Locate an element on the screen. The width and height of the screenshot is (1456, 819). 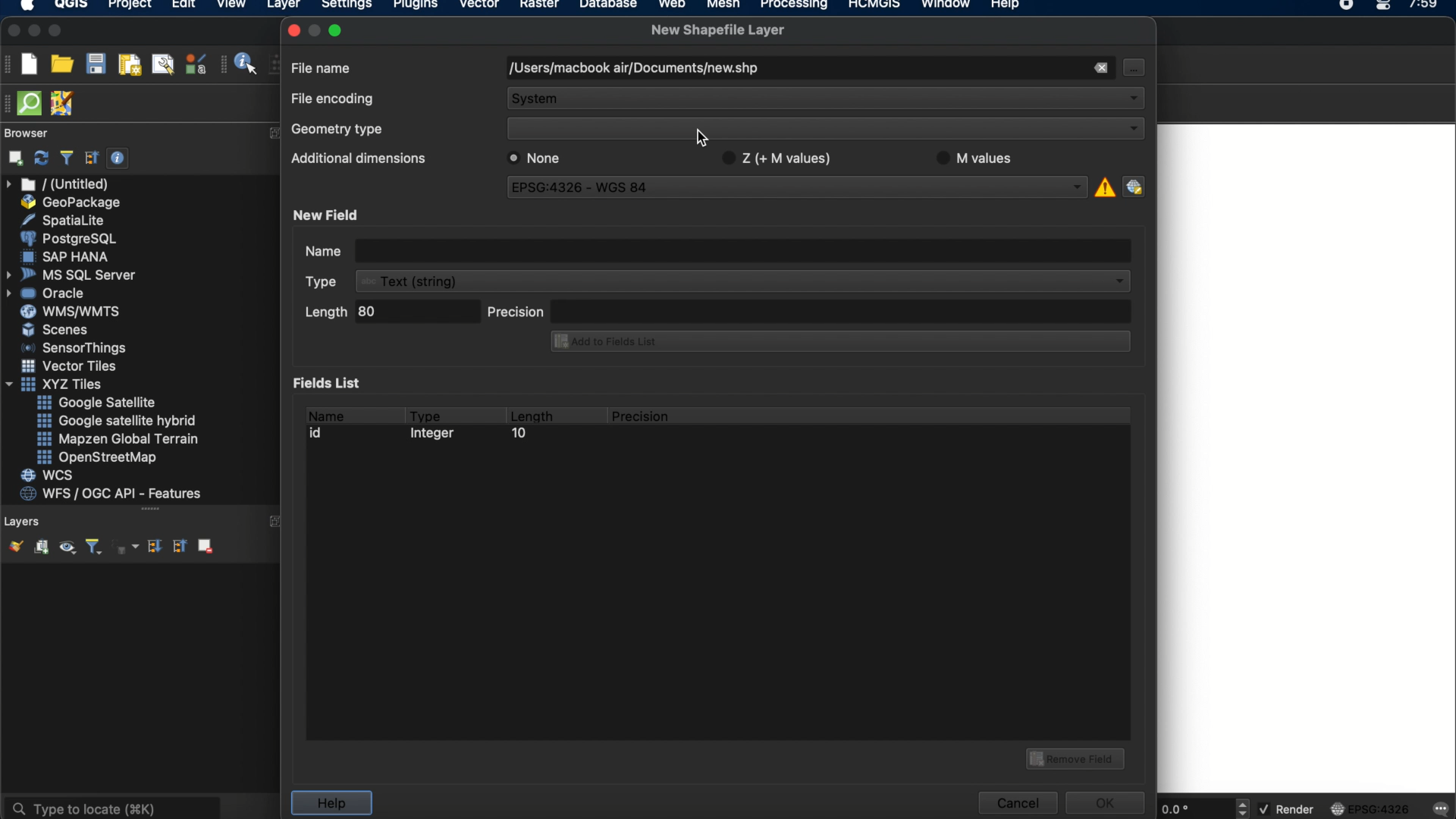
hidden toolbar is located at coordinates (9, 102).